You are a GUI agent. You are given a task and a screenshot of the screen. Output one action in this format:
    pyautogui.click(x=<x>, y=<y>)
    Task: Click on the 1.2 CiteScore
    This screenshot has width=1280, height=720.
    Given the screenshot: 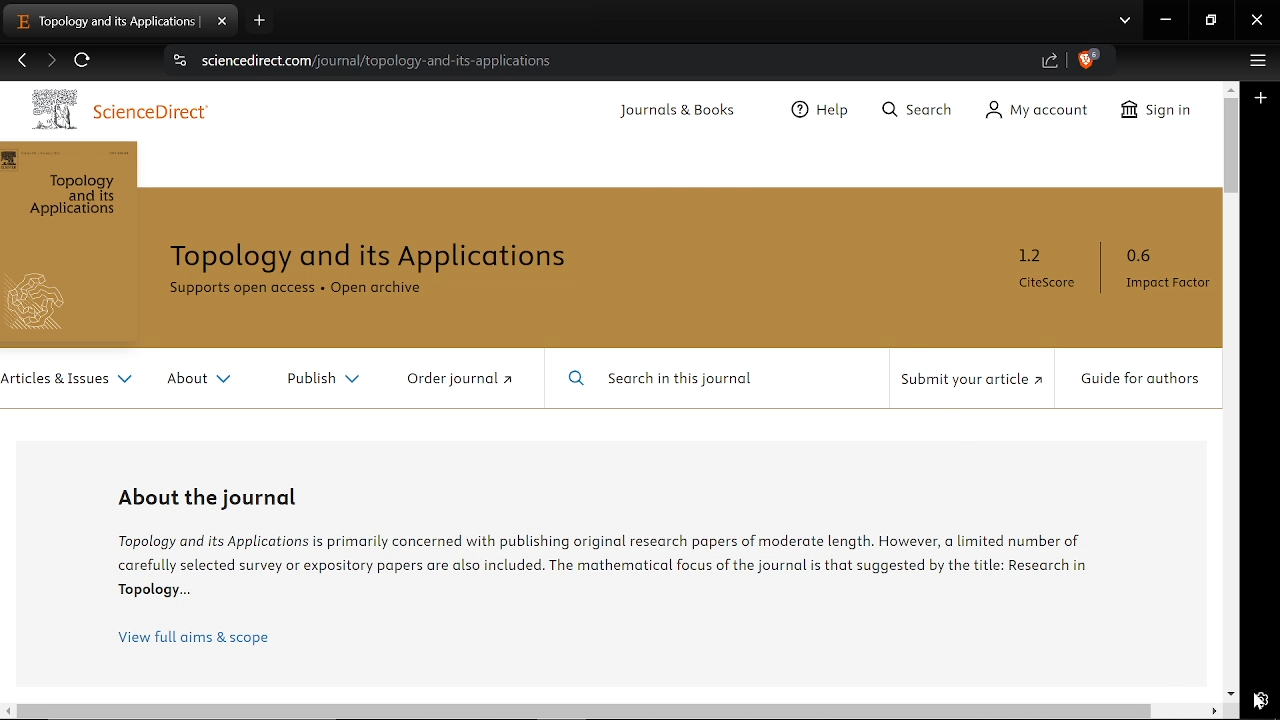 What is the action you would take?
    pyautogui.click(x=1047, y=267)
    